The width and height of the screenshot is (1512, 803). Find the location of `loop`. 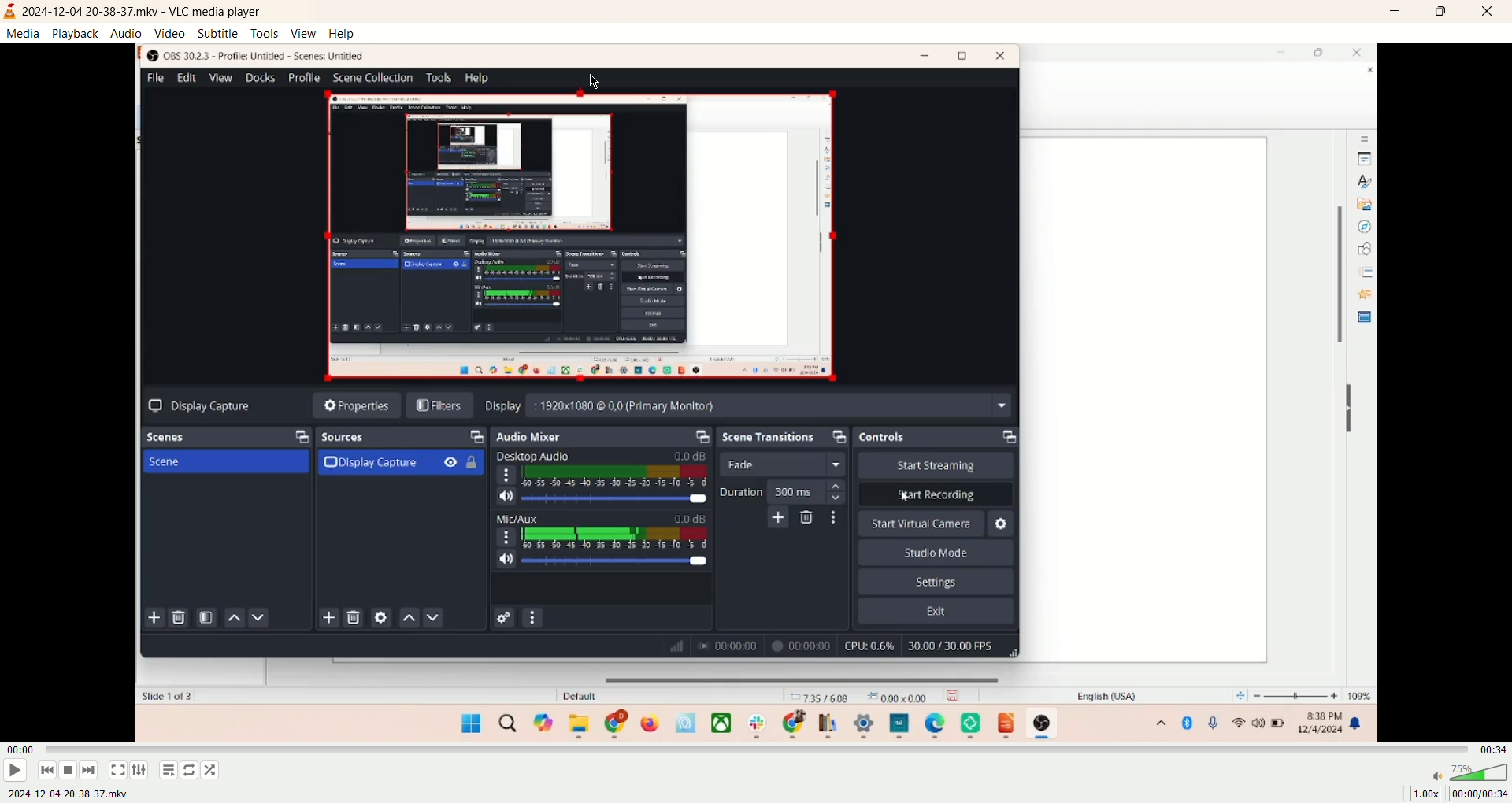

loop is located at coordinates (191, 770).